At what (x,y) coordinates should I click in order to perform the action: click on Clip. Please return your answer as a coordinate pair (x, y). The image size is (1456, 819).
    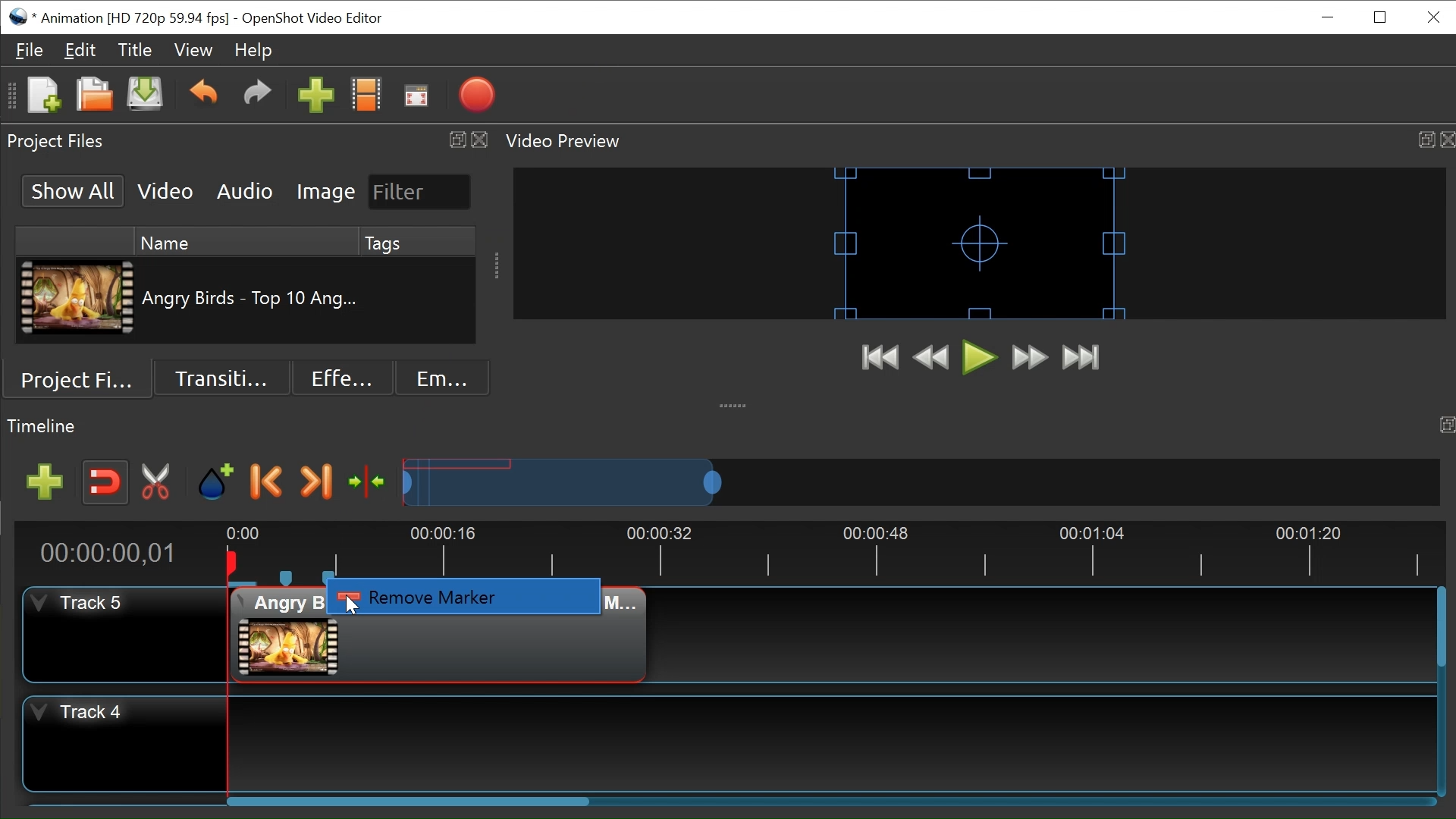
    Looking at the image, I should click on (77, 298).